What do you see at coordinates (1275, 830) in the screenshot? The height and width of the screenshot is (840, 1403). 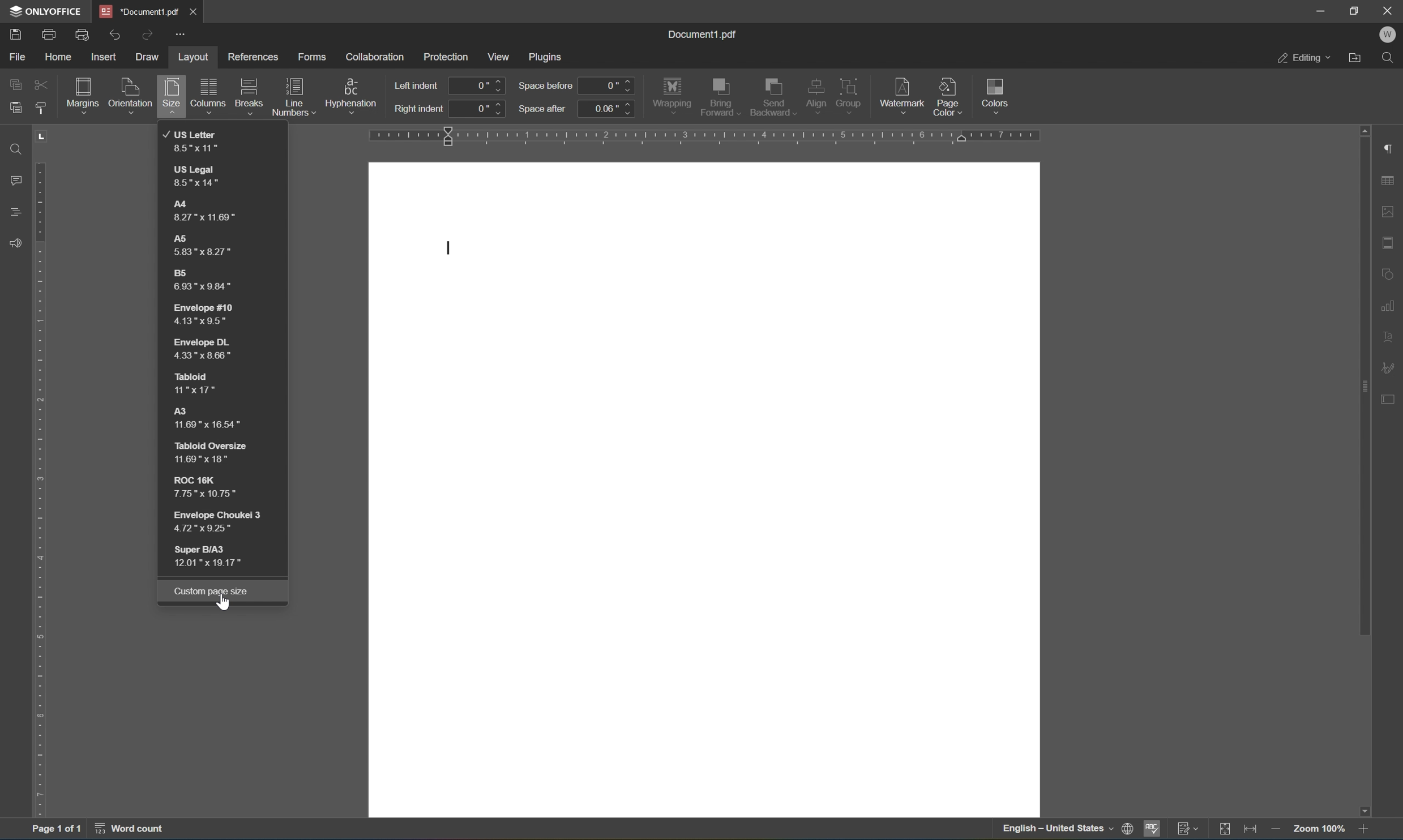 I see `zoom out` at bounding box center [1275, 830].